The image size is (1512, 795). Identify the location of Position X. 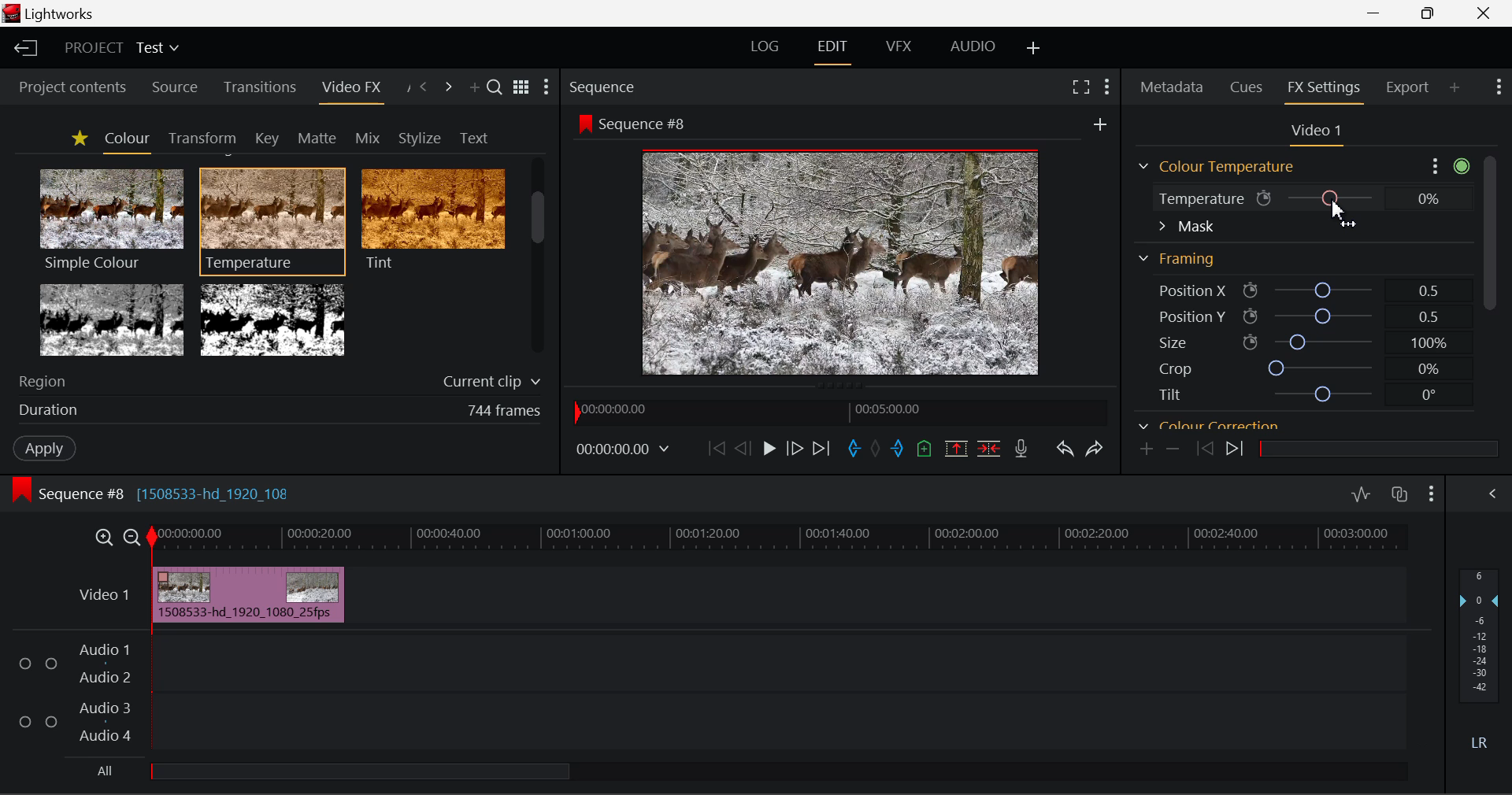
(1322, 291).